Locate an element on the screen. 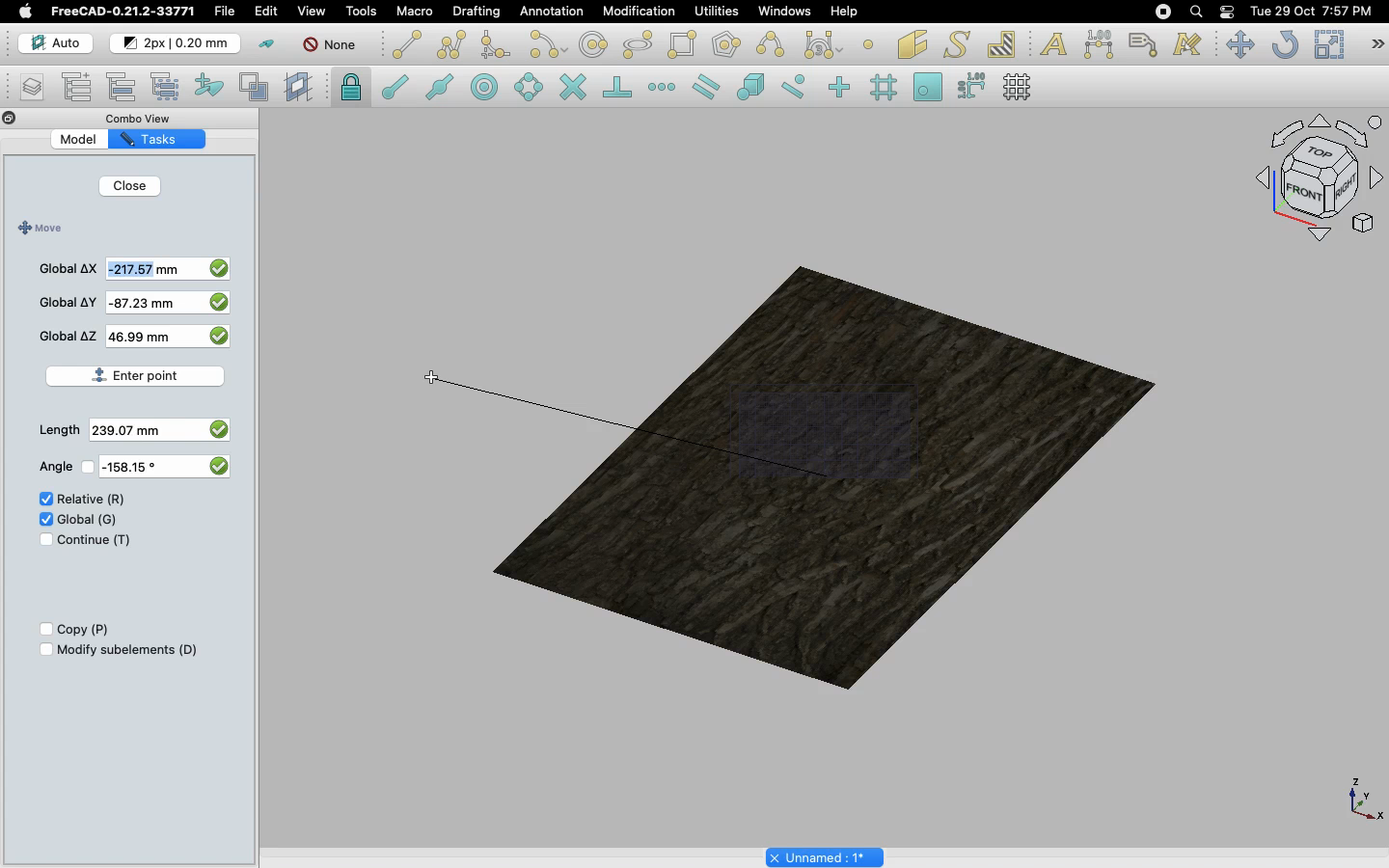  View is located at coordinates (312, 10).